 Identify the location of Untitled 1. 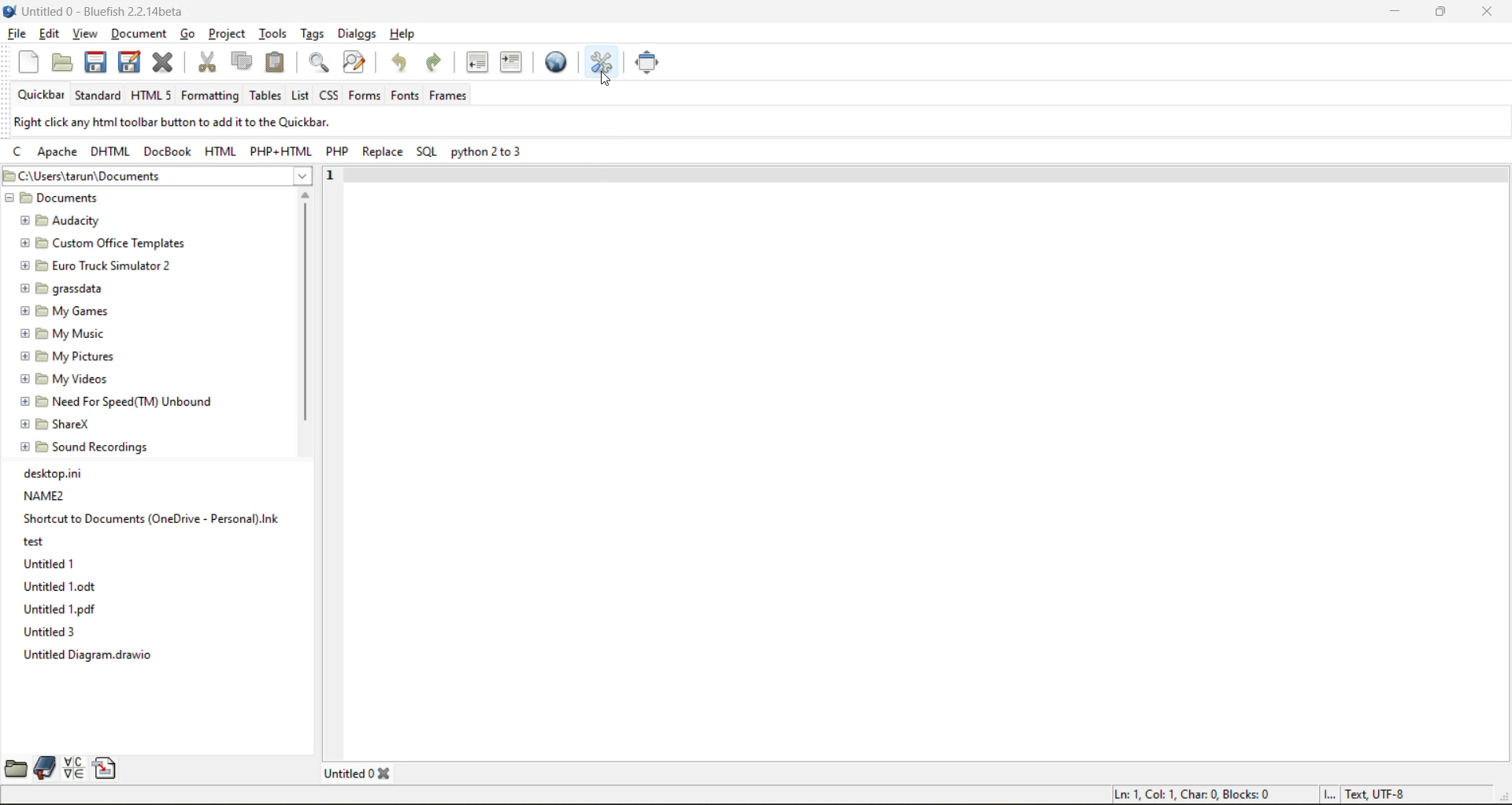
(48, 562).